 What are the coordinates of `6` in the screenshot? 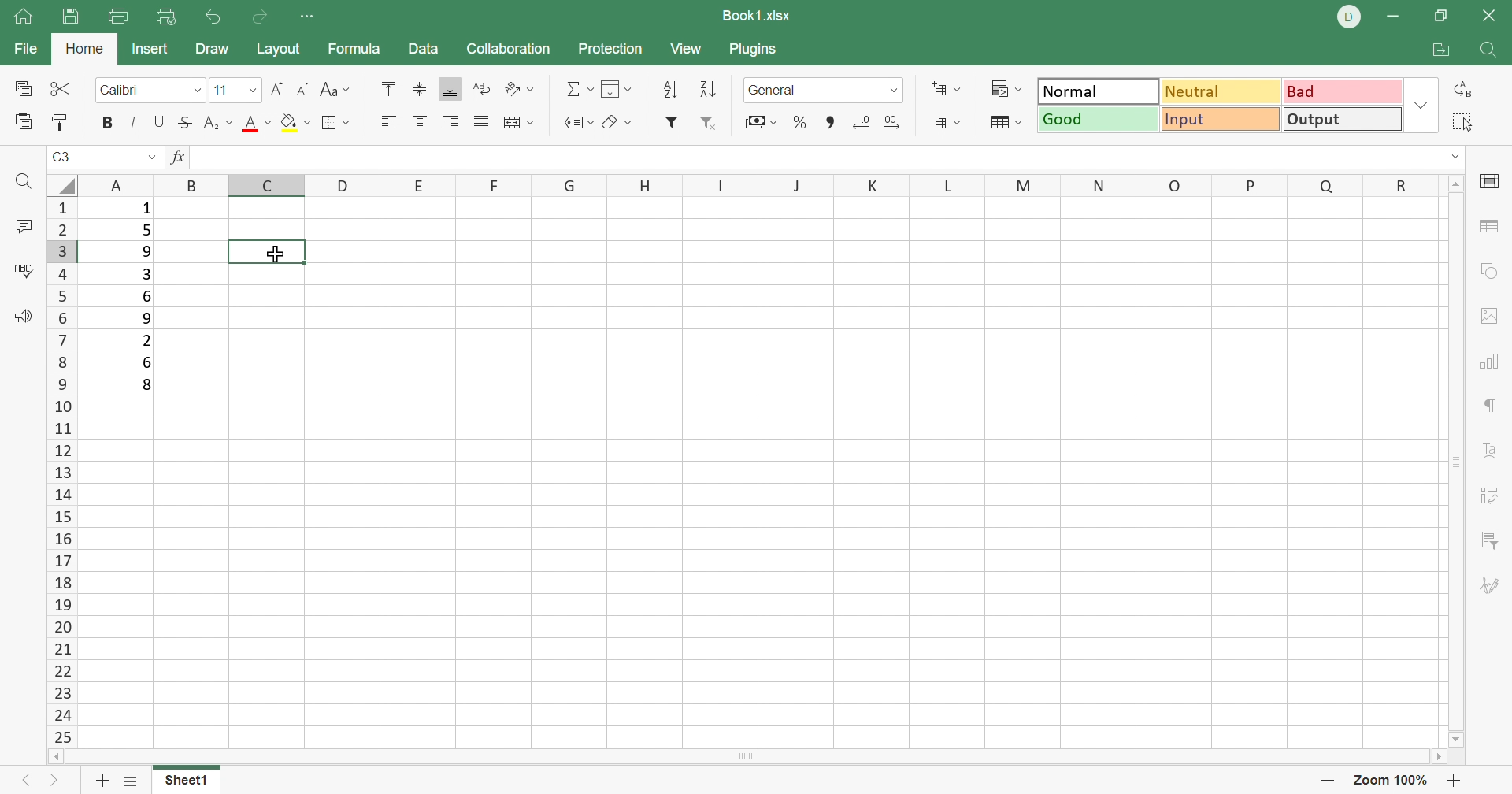 It's located at (149, 362).